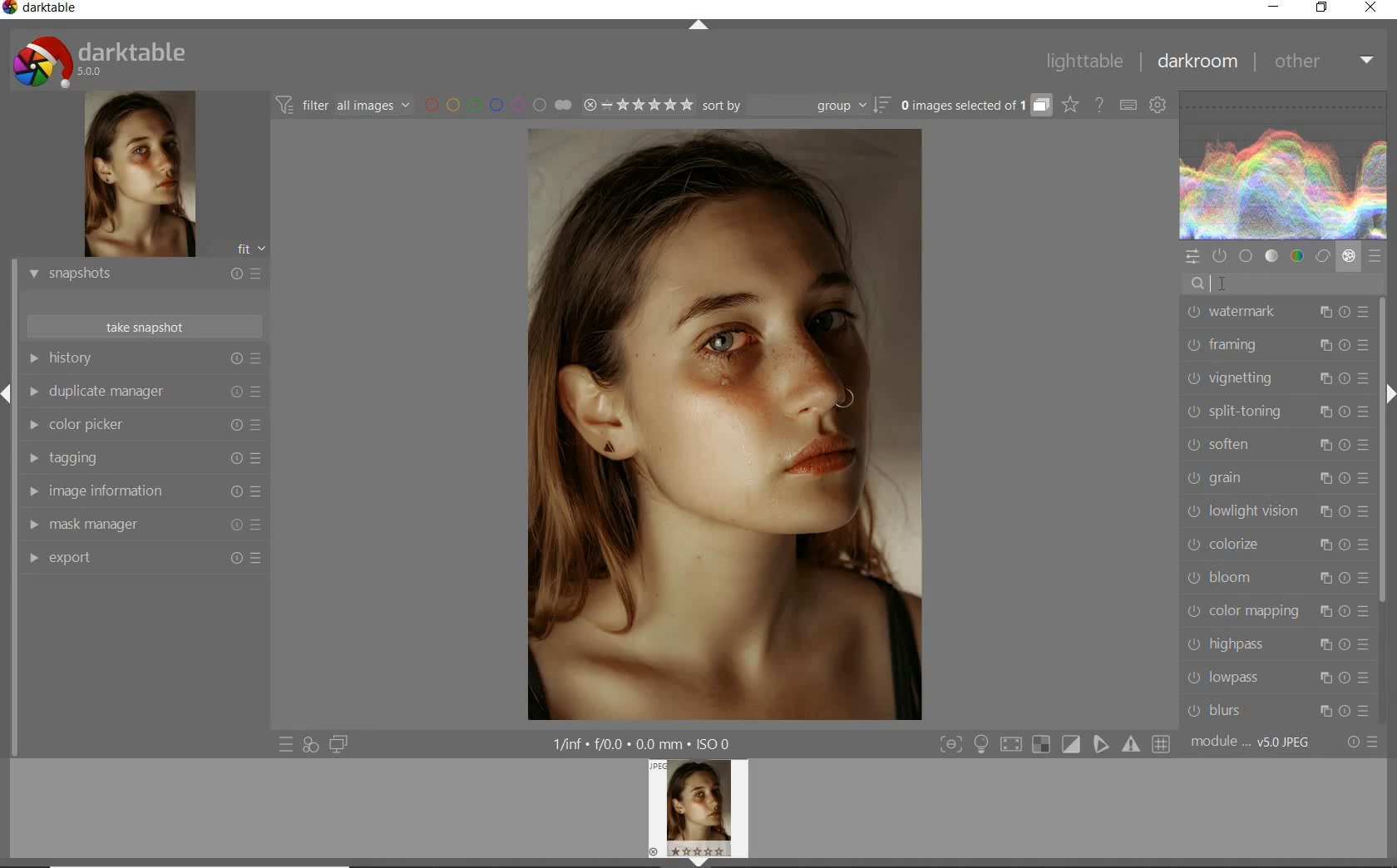 The image size is (1397, 868). Describe the element at coordinates (1298, 255) in the screenshot. I see `color` at that location.